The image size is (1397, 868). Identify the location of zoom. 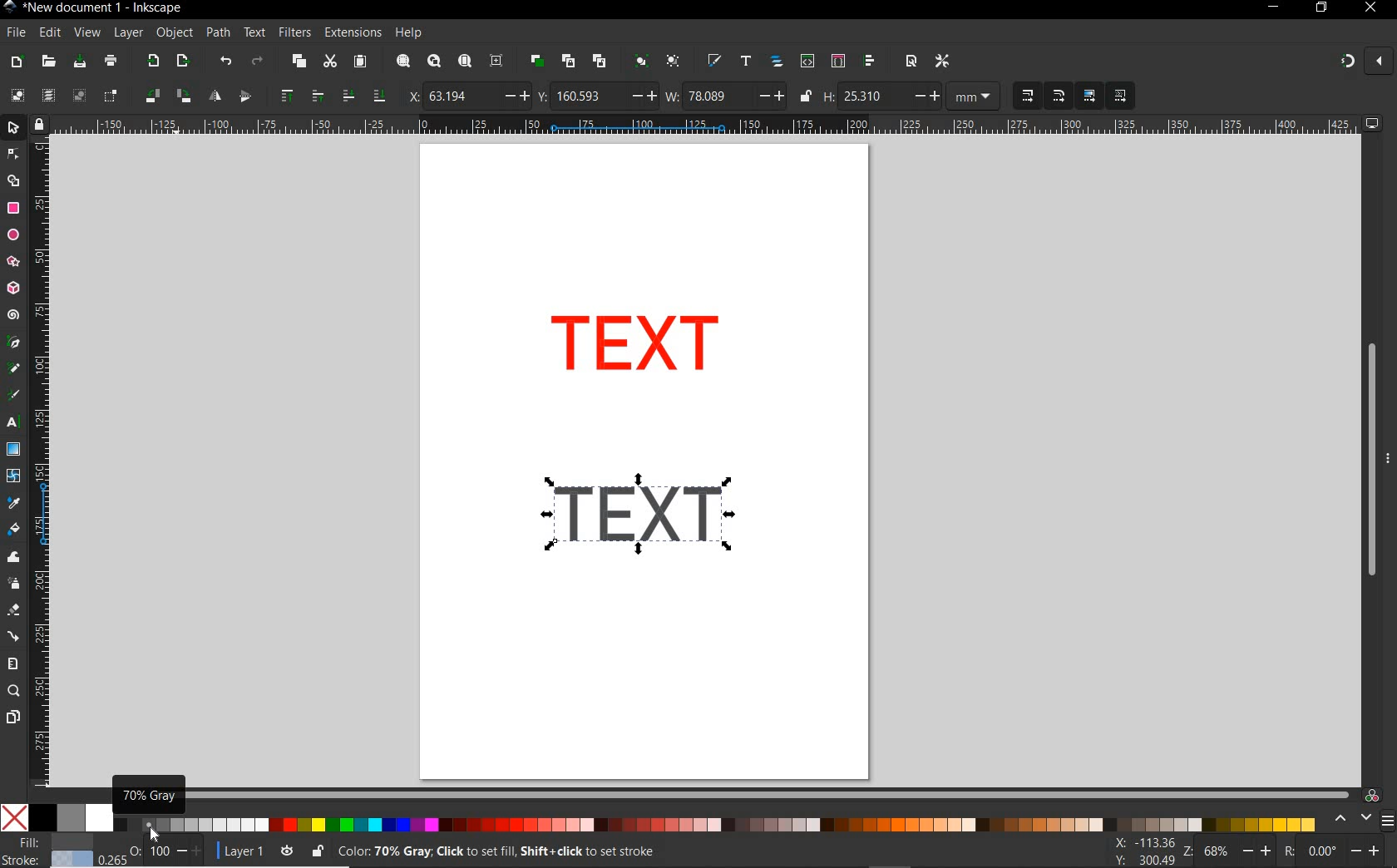
(1224, 851).